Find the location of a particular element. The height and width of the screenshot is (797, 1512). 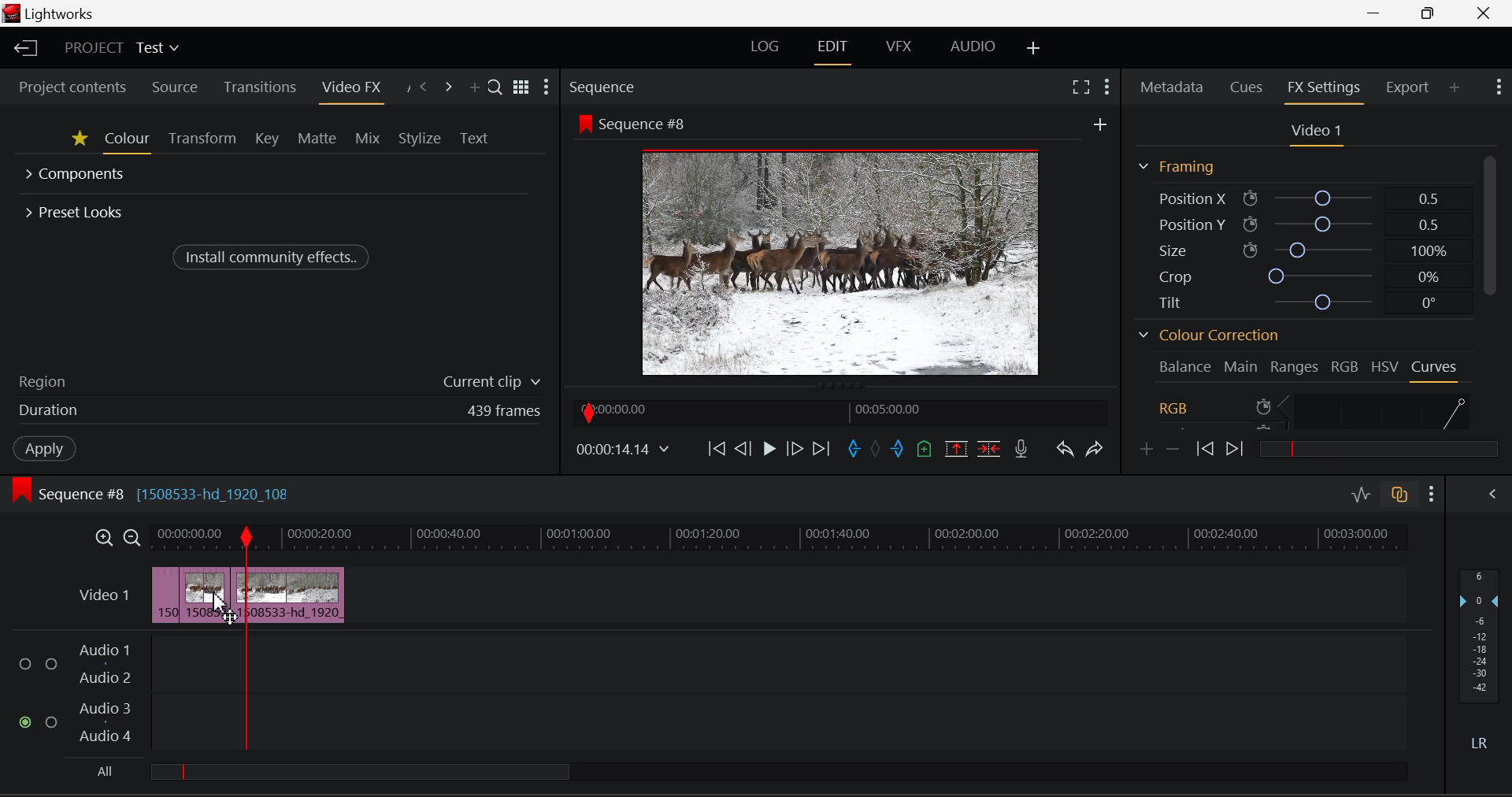

Key is located at coordinates (265, 140).